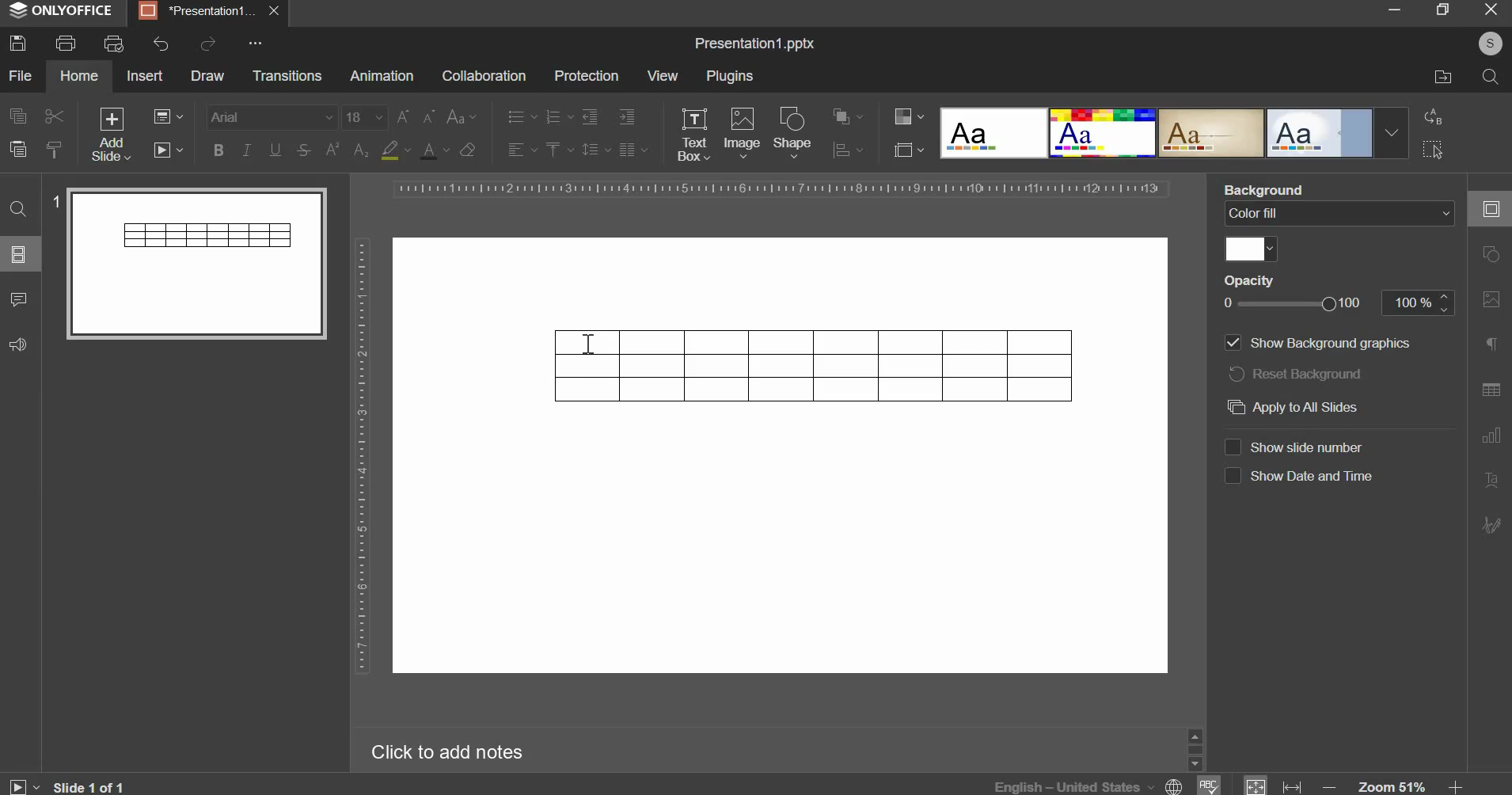 This screenshot has height=795, width=1512. Describe the element at coordinates (207, 44) in the screenshot. I see `redo` at that location.